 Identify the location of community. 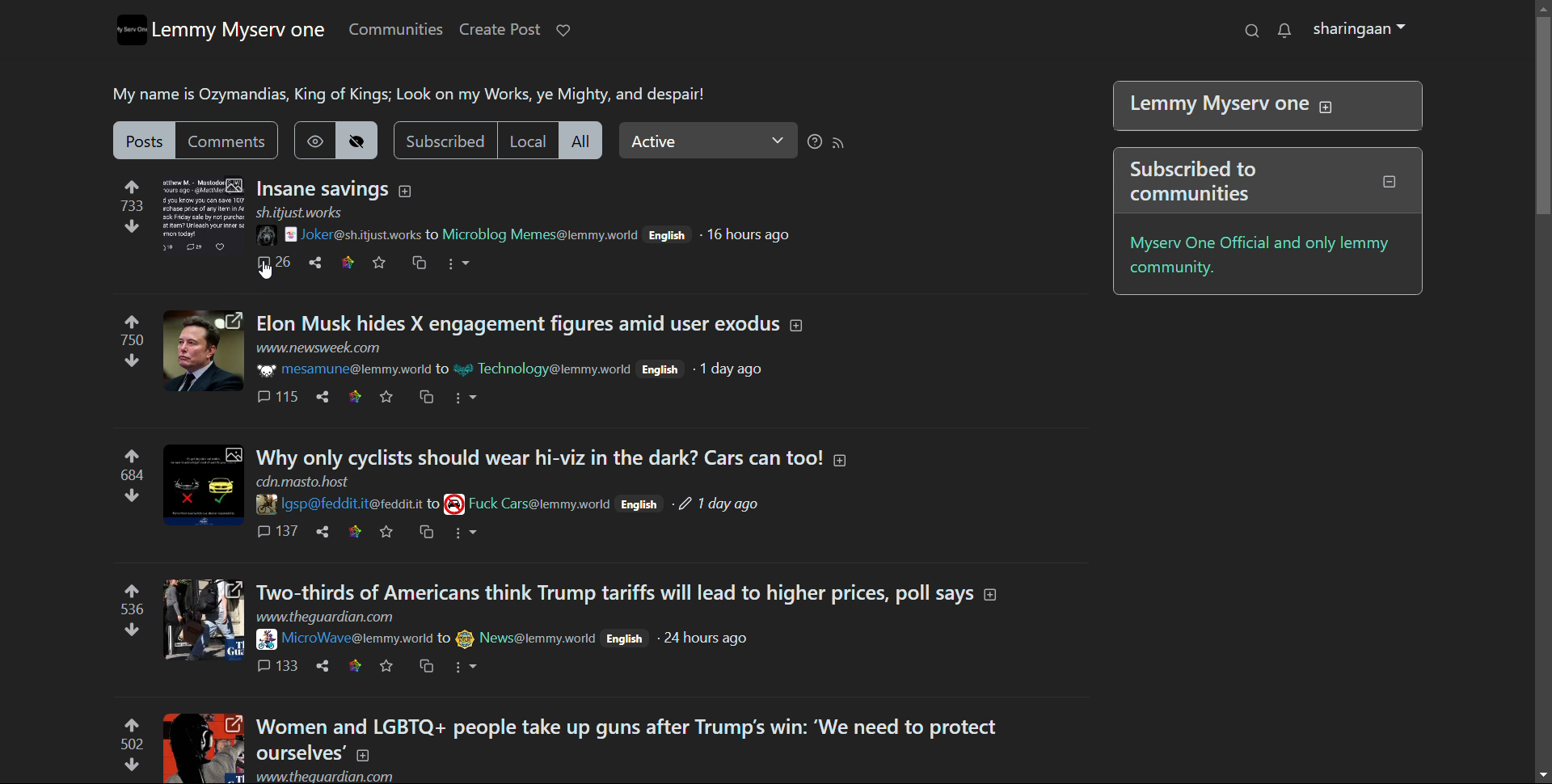
(527, 503).